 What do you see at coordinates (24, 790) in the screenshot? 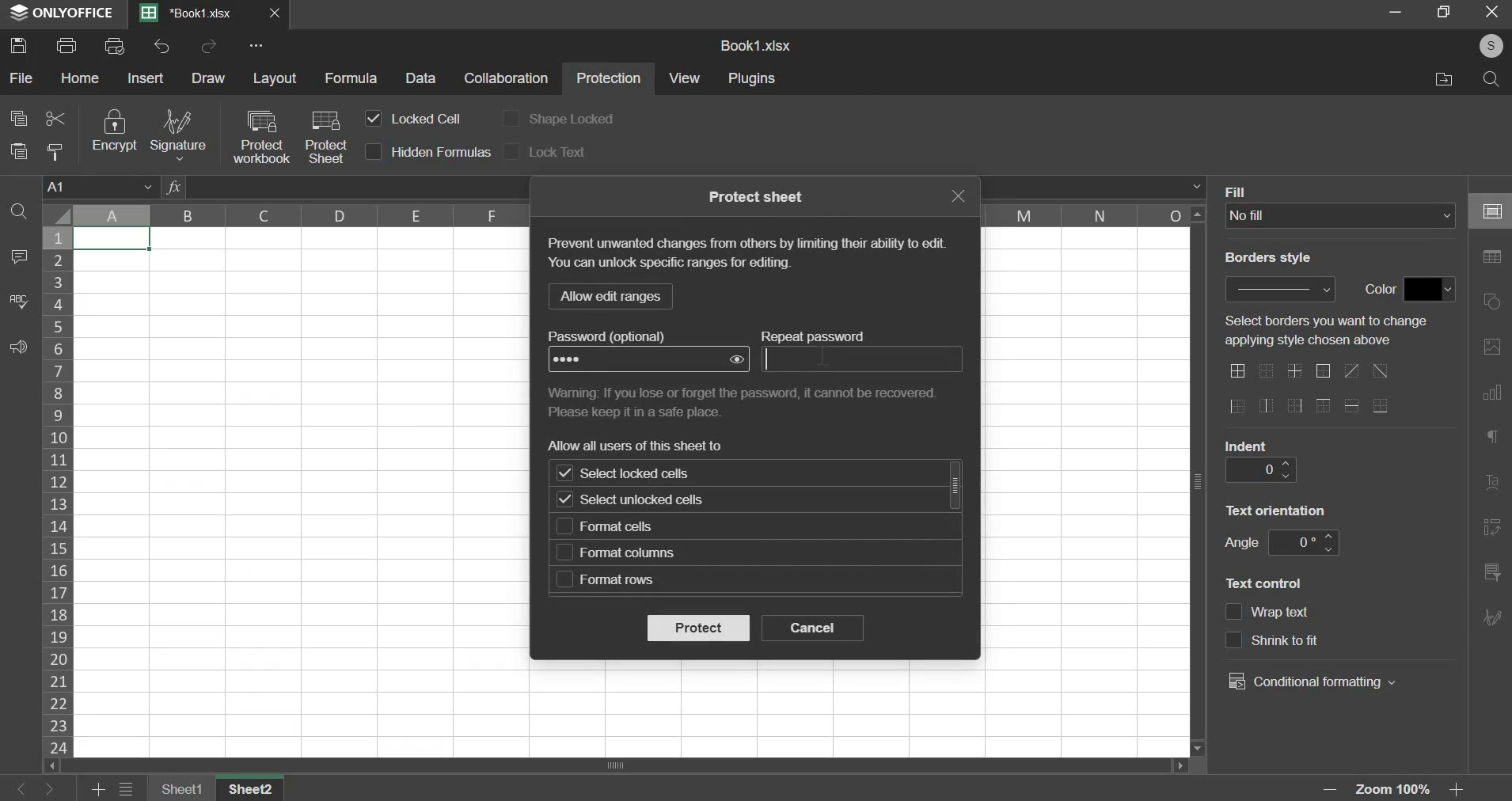
I see `left` at bounding box center [24, 790].